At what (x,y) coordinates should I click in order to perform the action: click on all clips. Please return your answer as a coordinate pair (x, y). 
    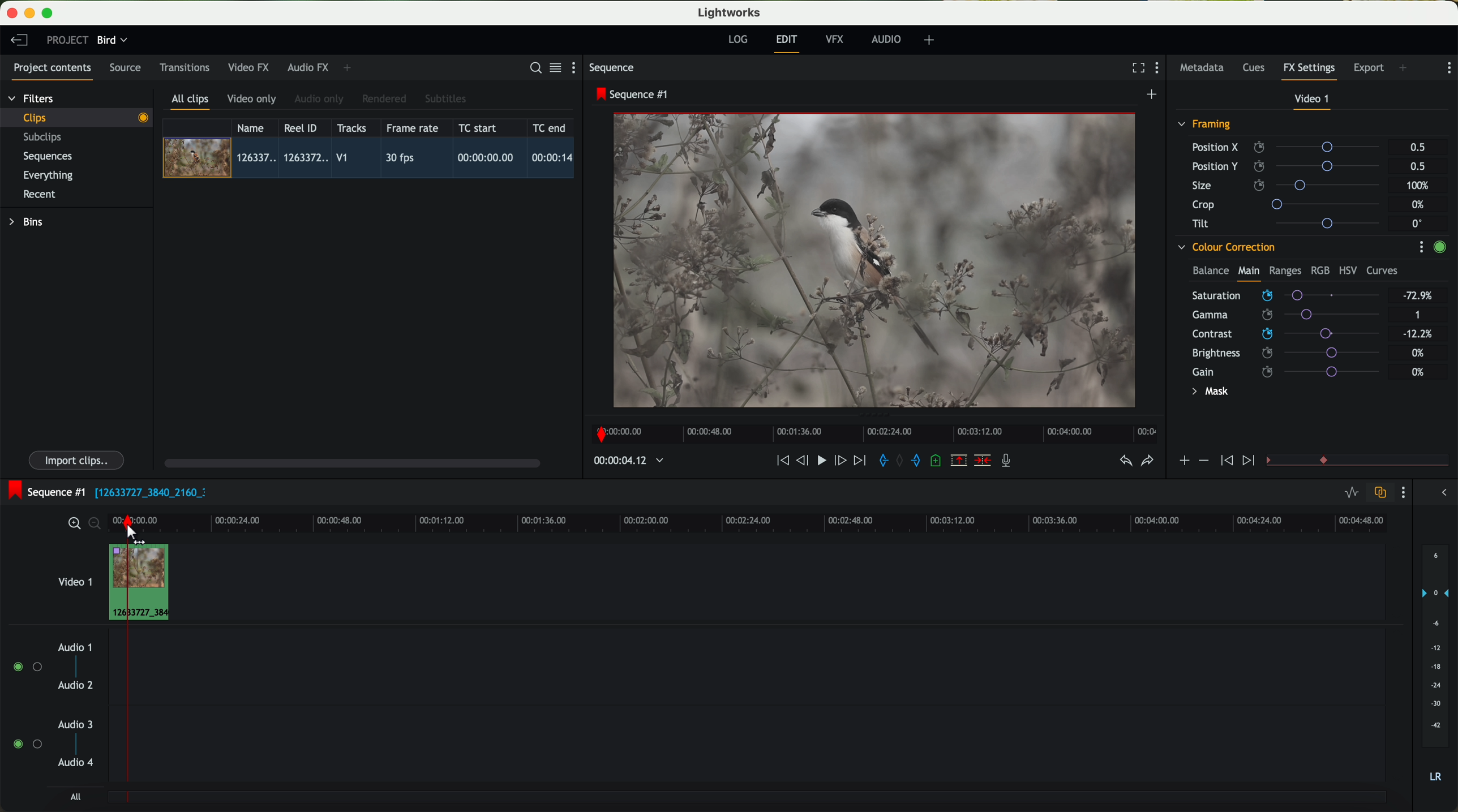
    Looking at the image, I should click on (191, 102).